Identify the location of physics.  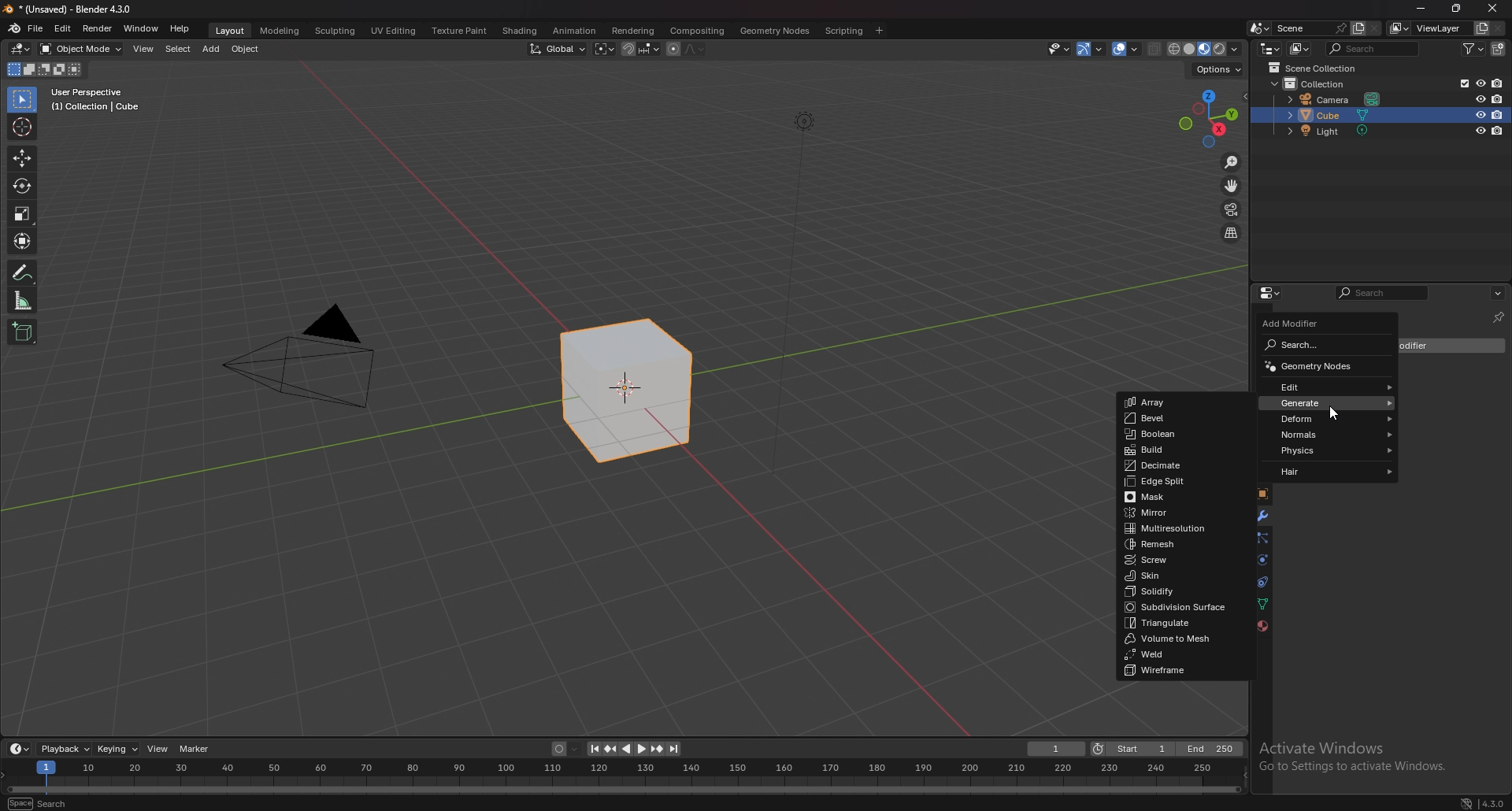
(1326, 450).